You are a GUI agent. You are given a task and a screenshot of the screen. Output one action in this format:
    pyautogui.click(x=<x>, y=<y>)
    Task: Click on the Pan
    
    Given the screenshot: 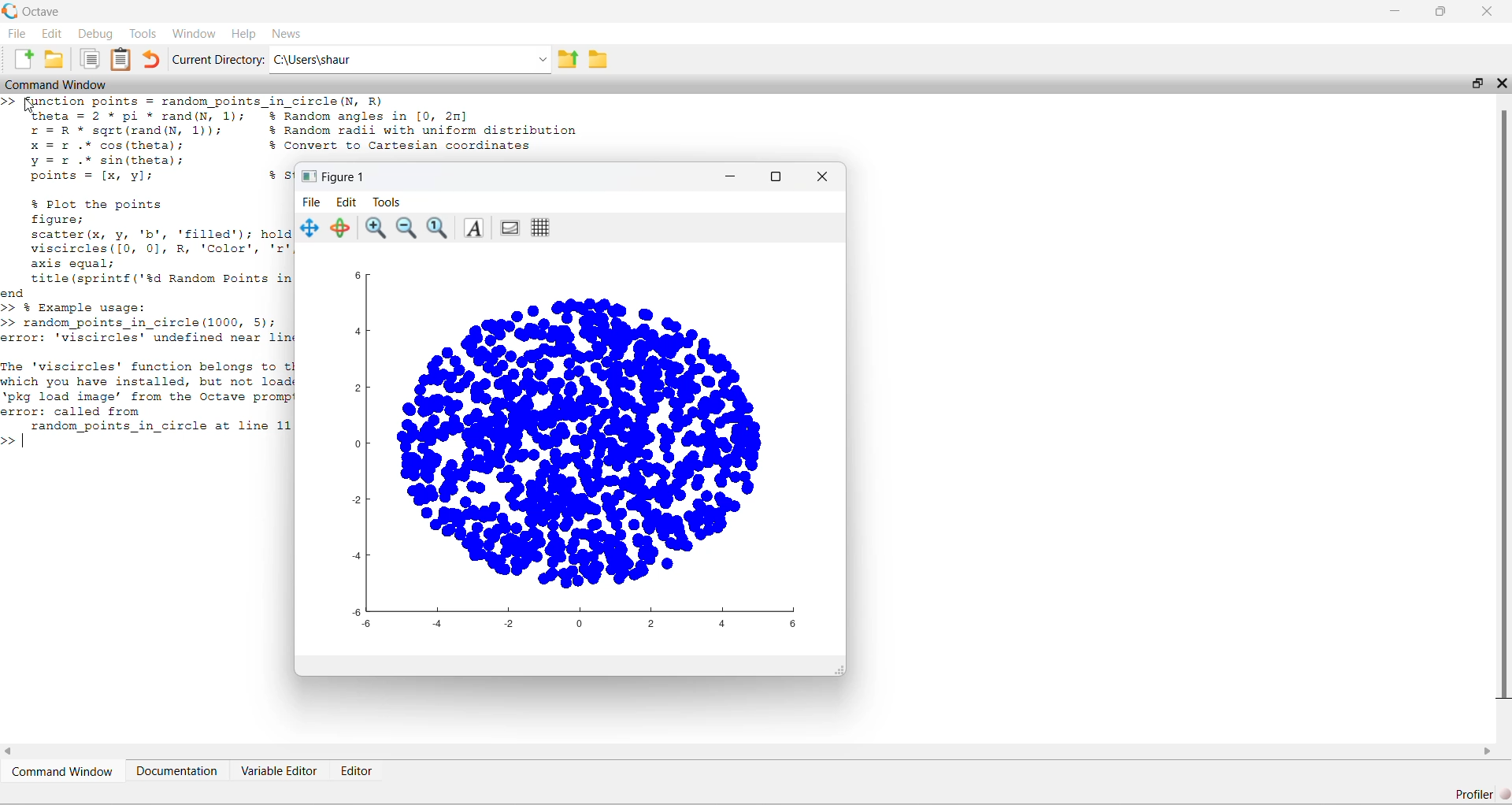 What is the action you would take?
    pyautogui.click(x=309, y=228)
    